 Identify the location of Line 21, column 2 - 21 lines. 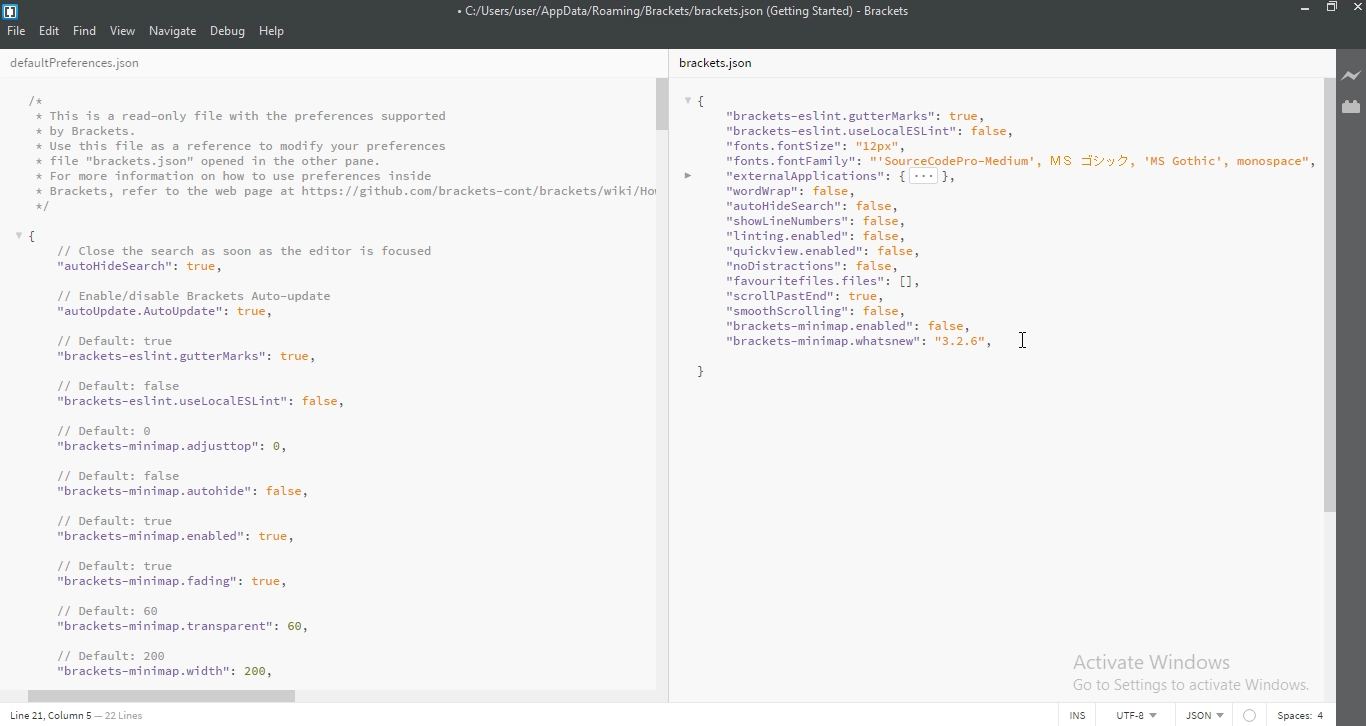
(82, 715).